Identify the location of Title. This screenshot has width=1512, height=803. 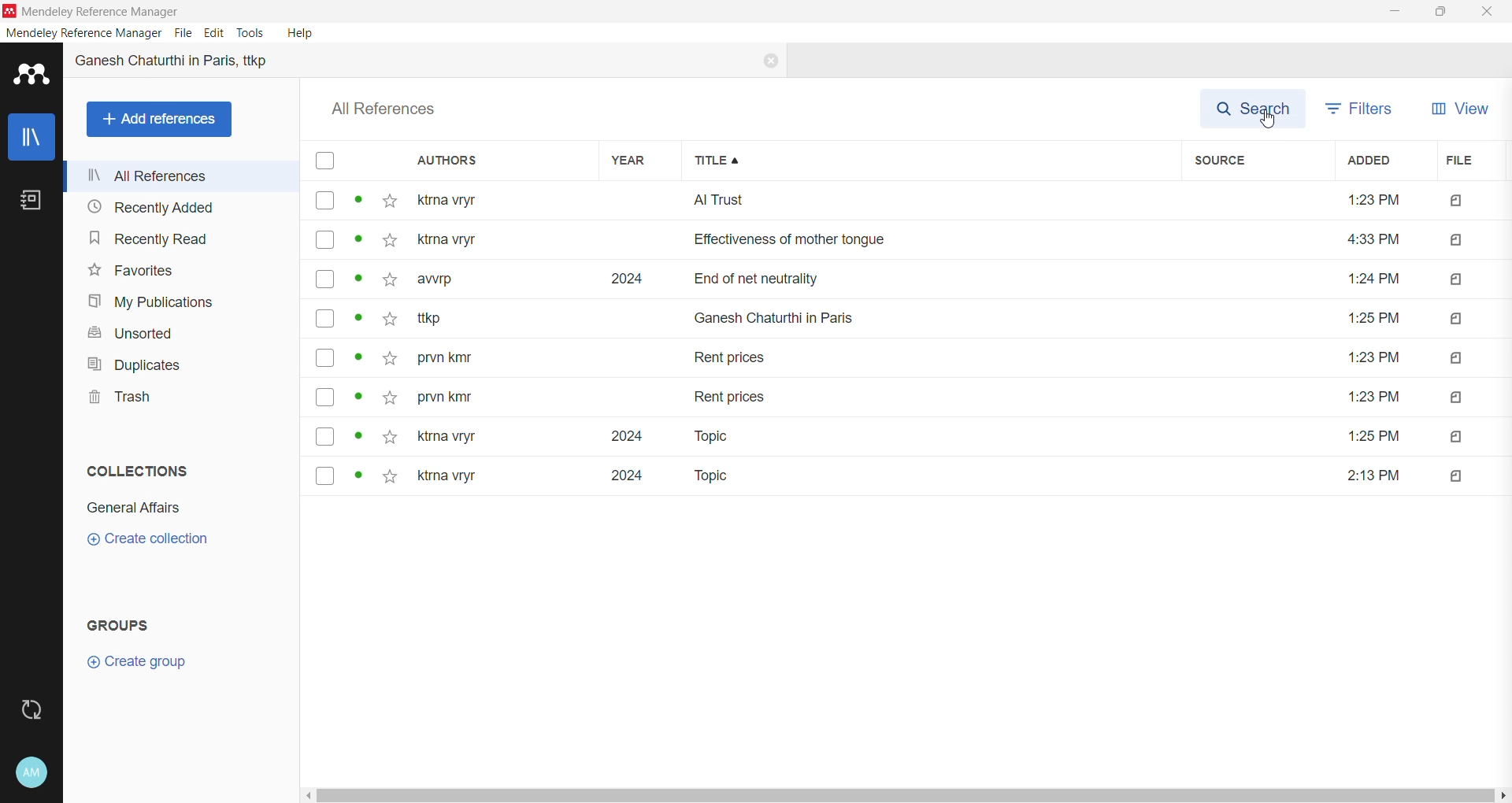
(932, 161).